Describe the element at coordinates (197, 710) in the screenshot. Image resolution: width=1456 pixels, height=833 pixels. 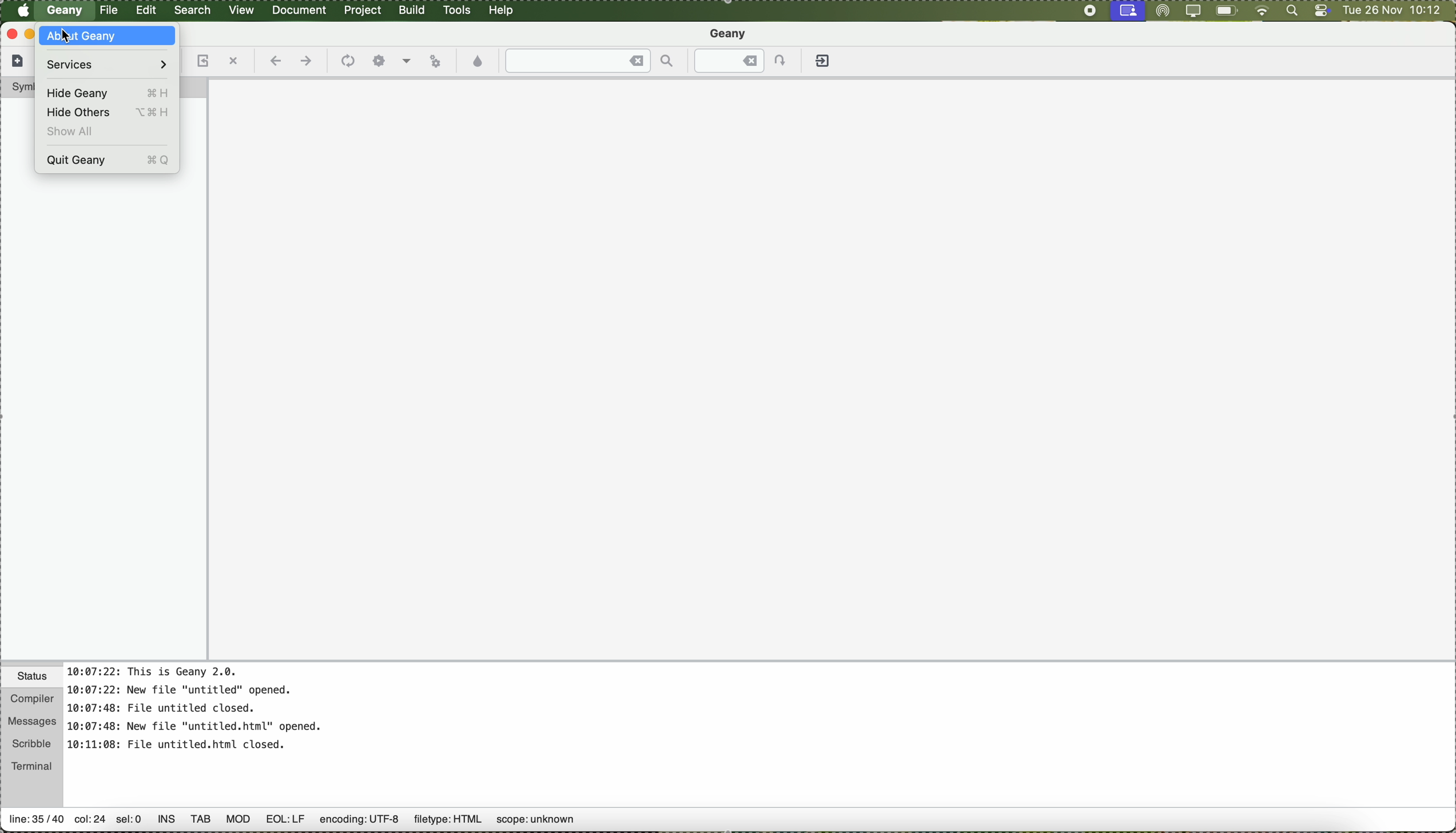
I see `Time and history of files` at that location.